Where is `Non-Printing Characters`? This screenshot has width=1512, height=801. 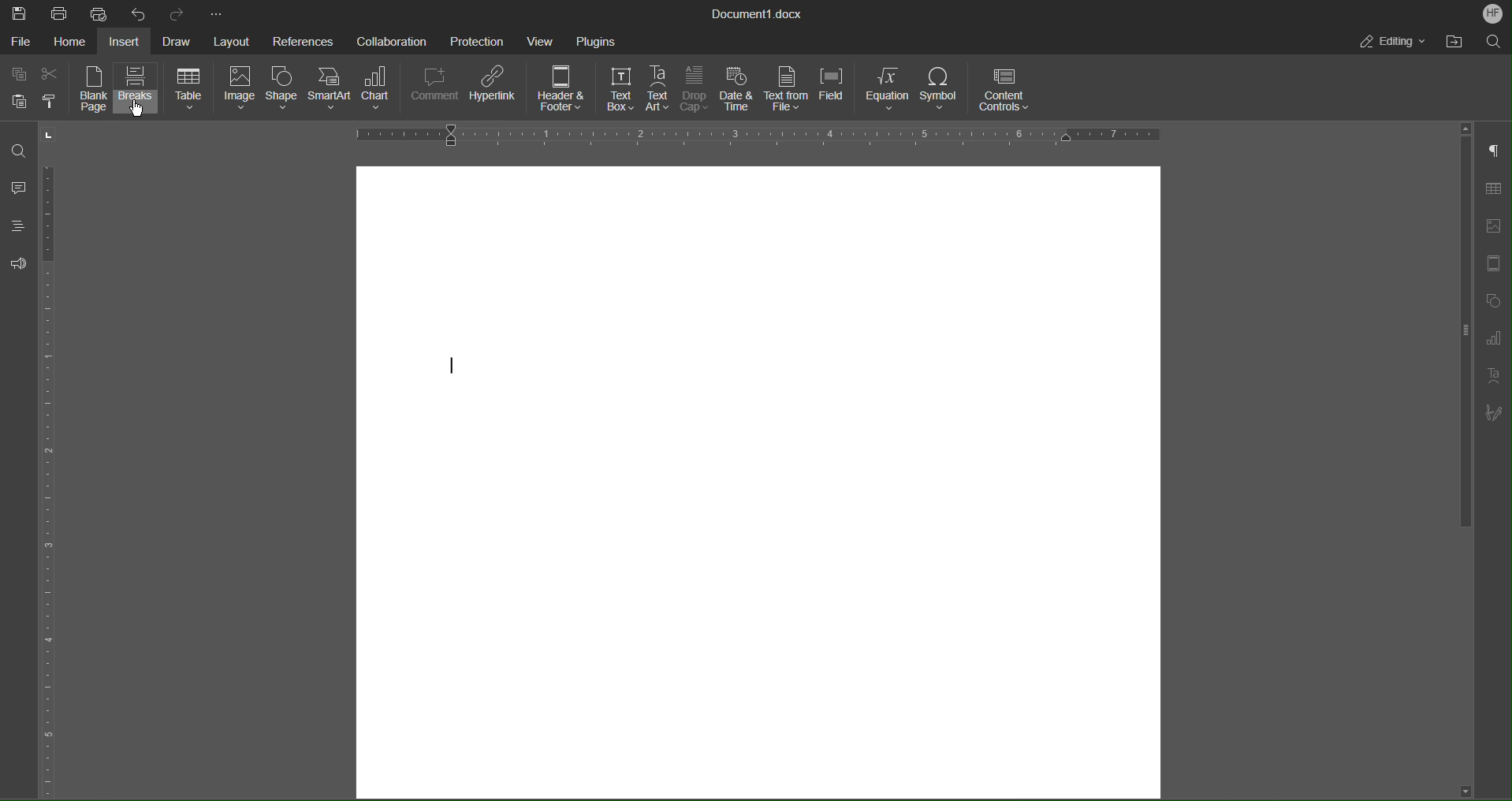
Non-Printing Characters is located at coordinates (1492, 152).